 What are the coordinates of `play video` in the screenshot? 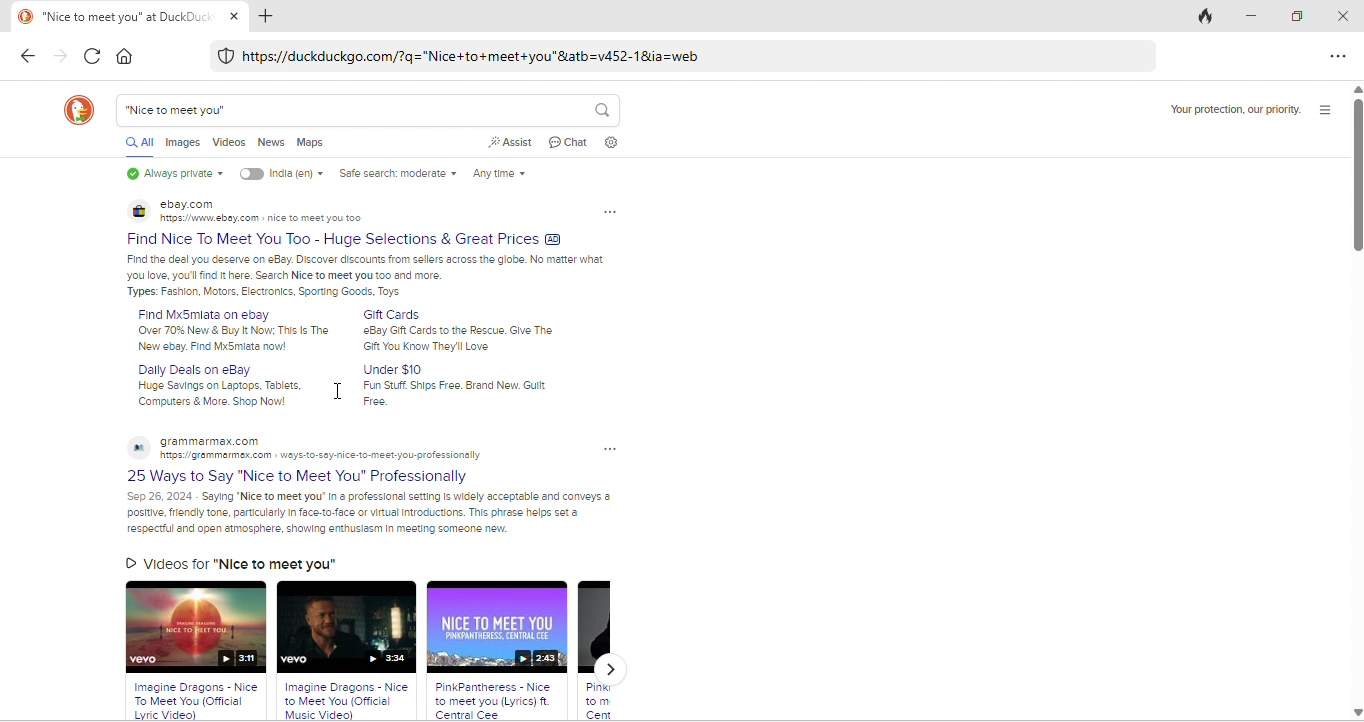 It's located at (346, 627).